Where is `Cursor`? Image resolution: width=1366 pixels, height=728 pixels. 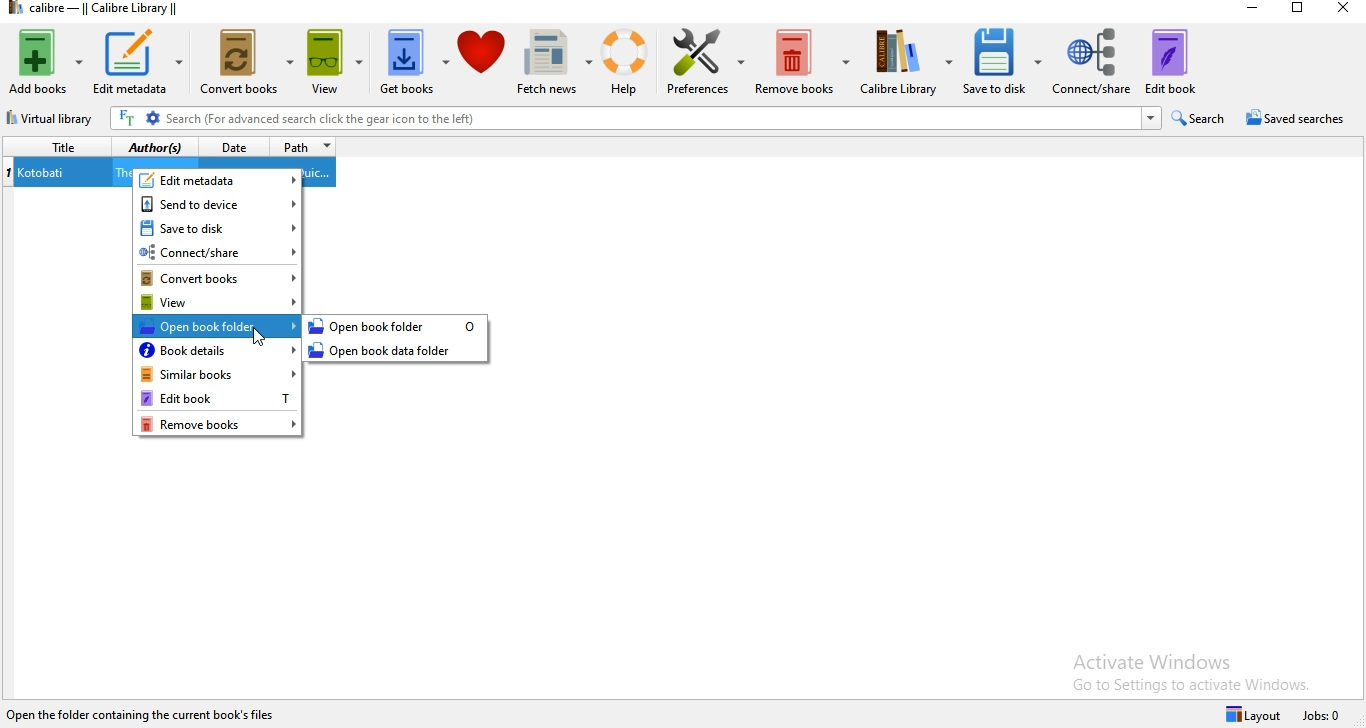
Cursor is located at coordinates (259, 339).